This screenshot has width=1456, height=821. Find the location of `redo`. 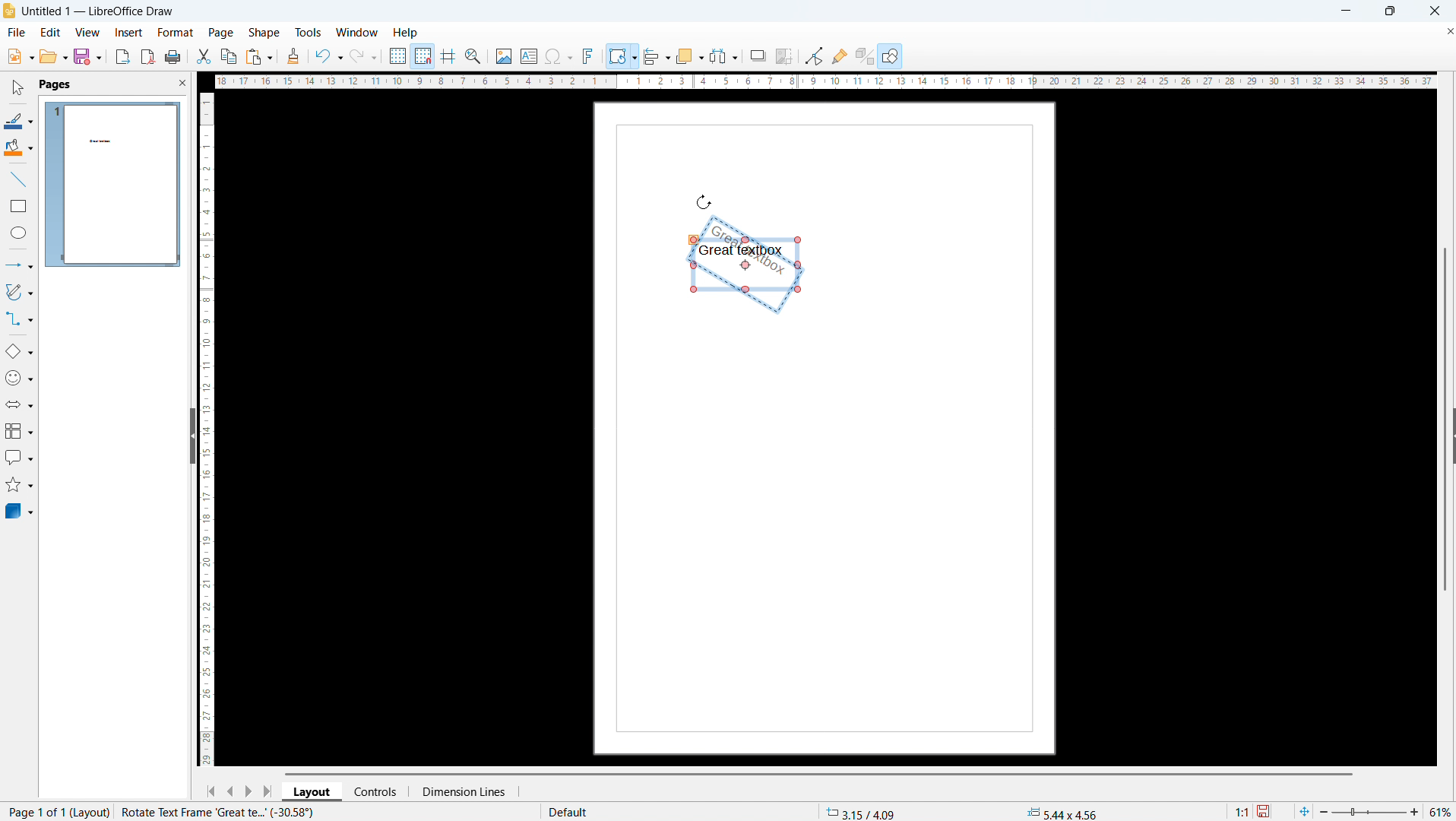

redo is located at coordinates (364, 55).